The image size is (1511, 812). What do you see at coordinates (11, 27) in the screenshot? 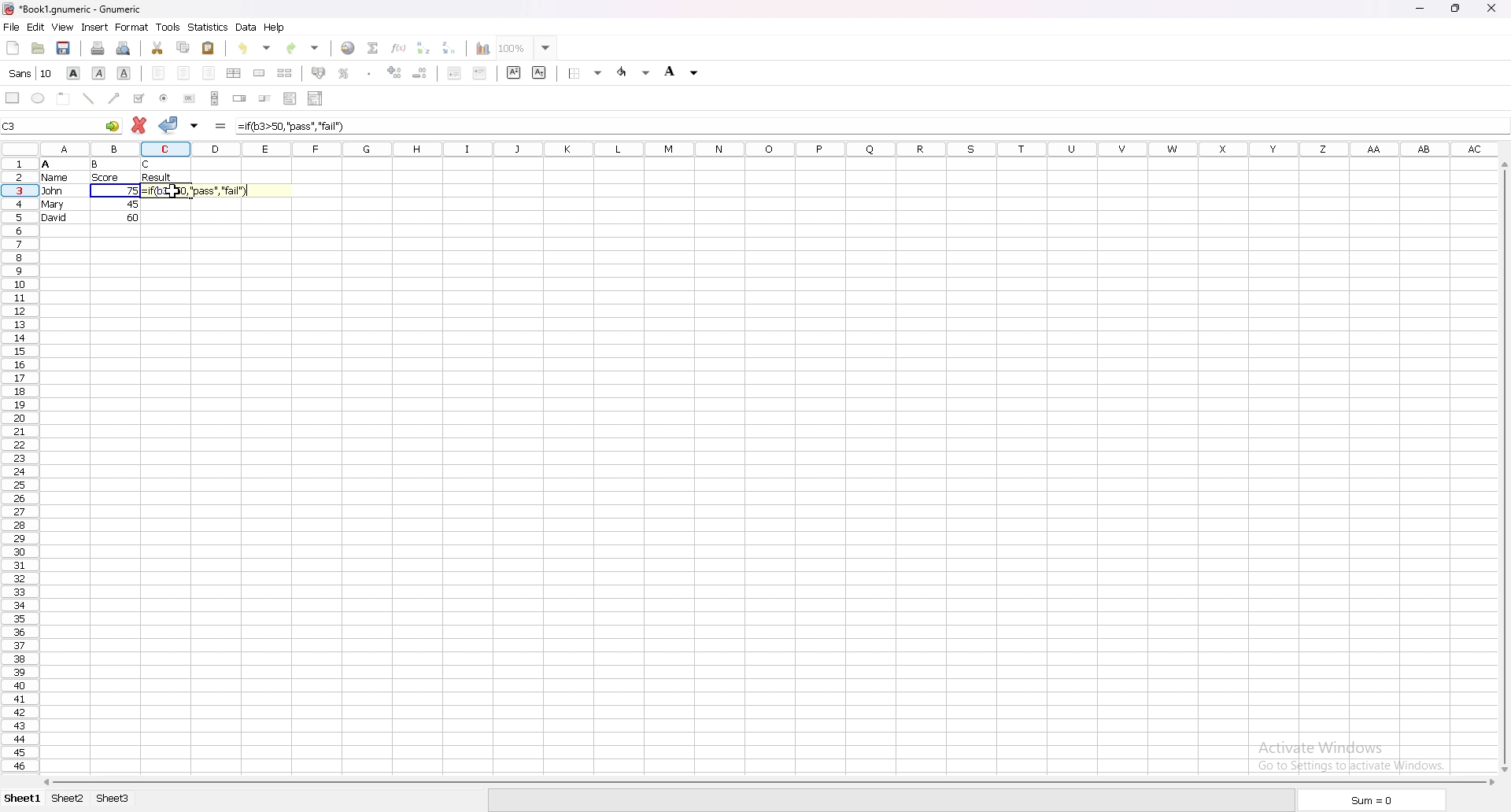
I see `file` at bounding box center [11, 27].